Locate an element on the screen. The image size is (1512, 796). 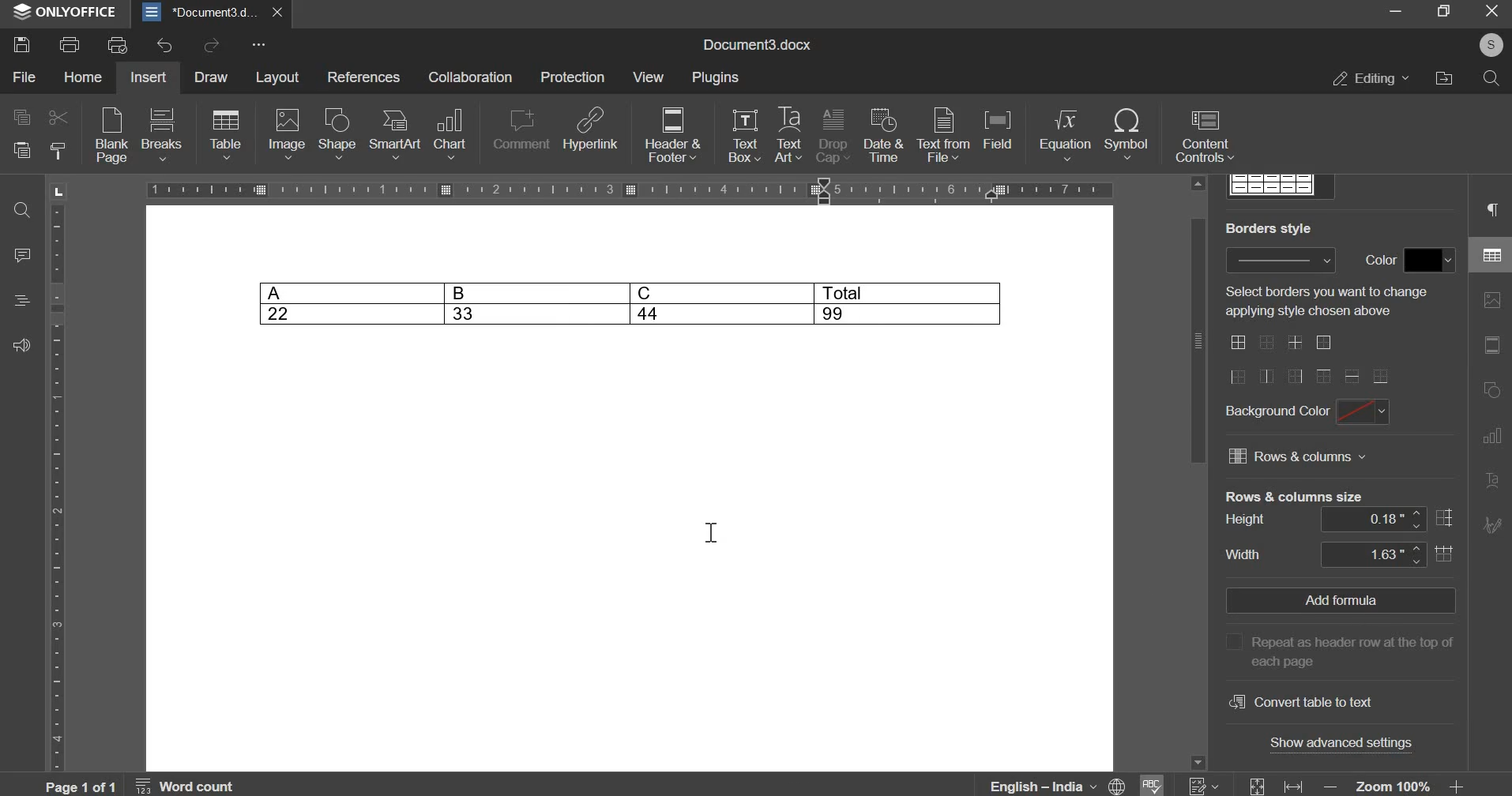
border color is located at coordinates (1429, 261).